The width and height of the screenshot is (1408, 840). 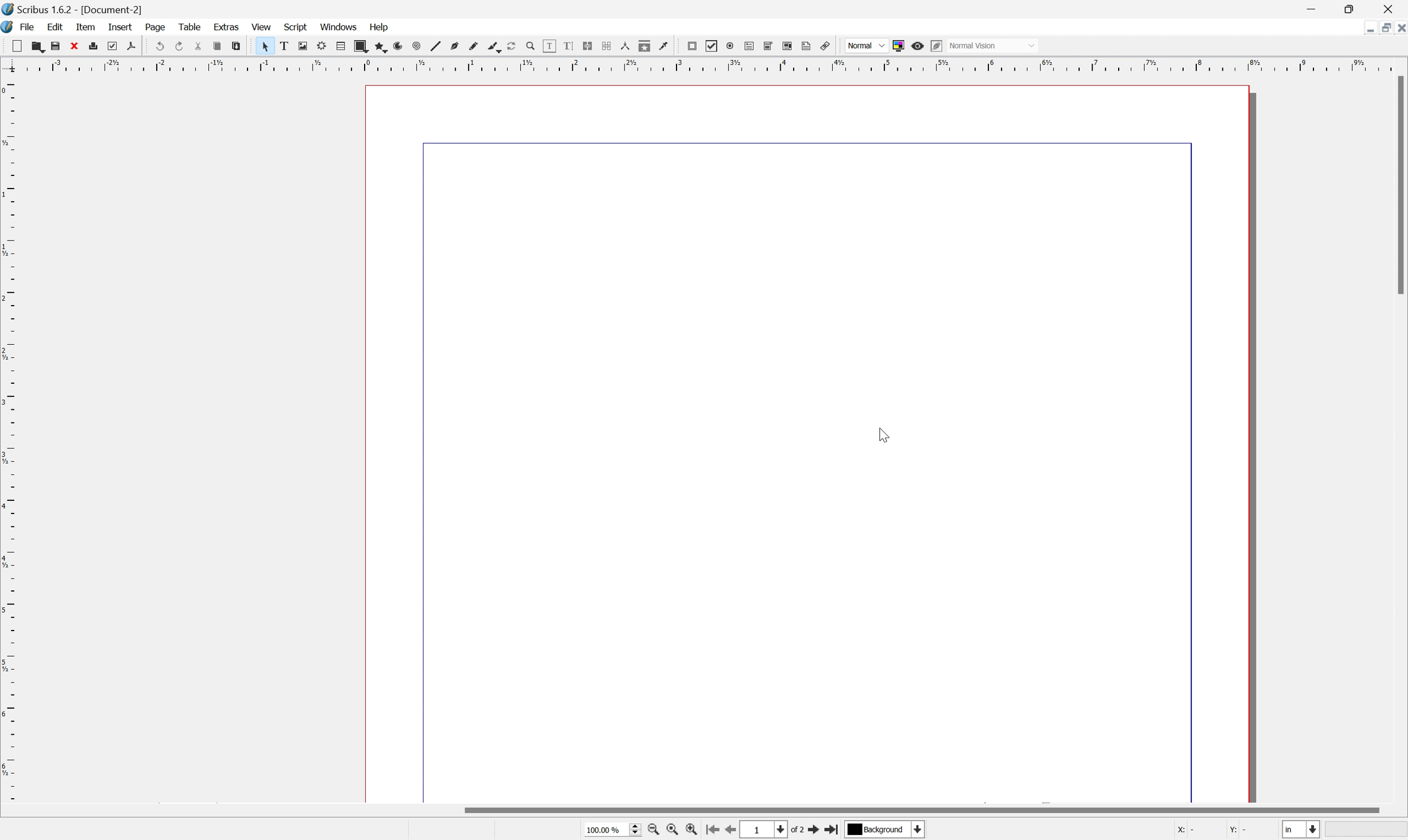 I want to click on Scribus 1.6.2 - [Document-1], so click(x=76, y=9).